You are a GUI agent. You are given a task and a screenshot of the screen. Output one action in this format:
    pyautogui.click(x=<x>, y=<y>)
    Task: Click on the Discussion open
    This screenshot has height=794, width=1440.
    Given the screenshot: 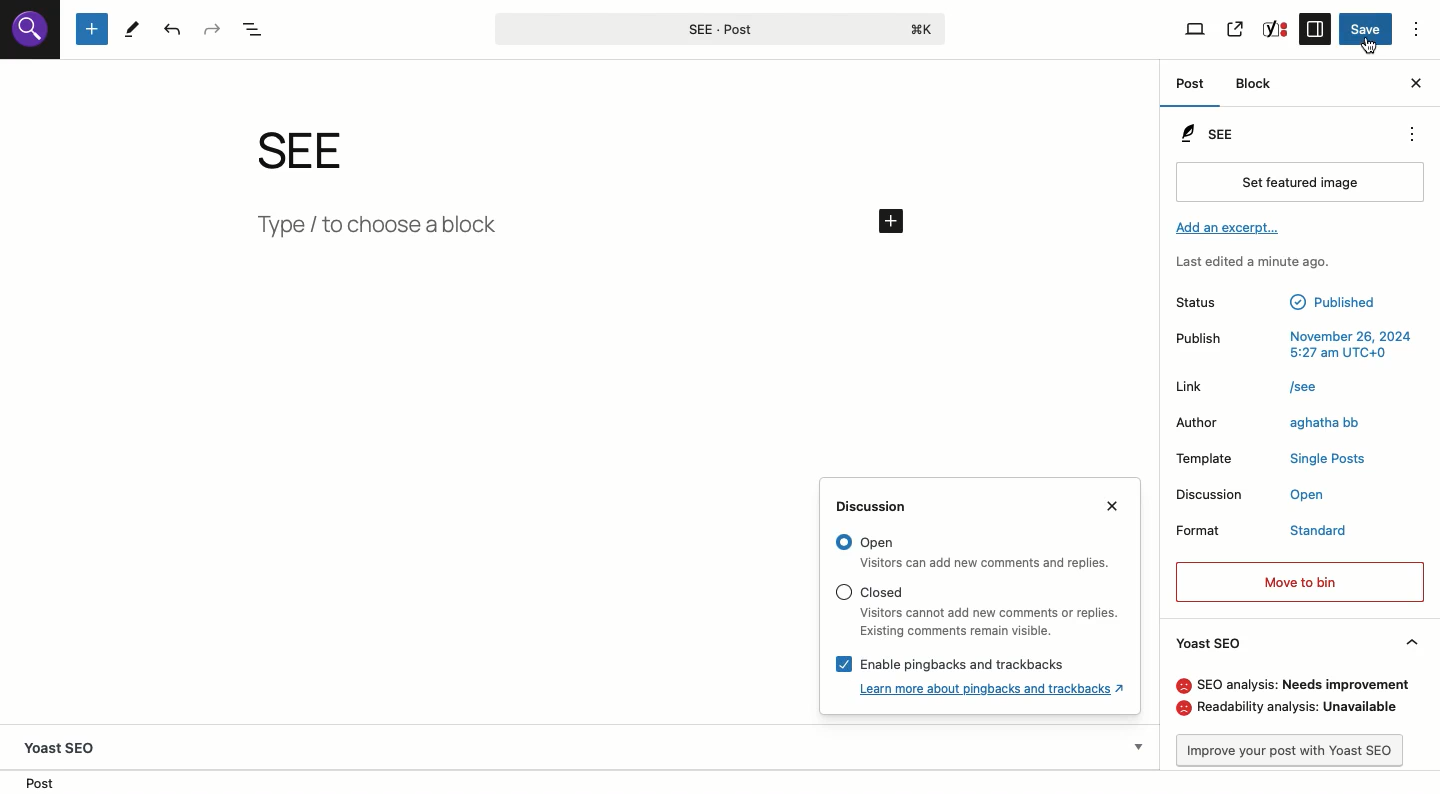 What is the action you would take?
    pyautogui.click(x=1282, y=496)
    